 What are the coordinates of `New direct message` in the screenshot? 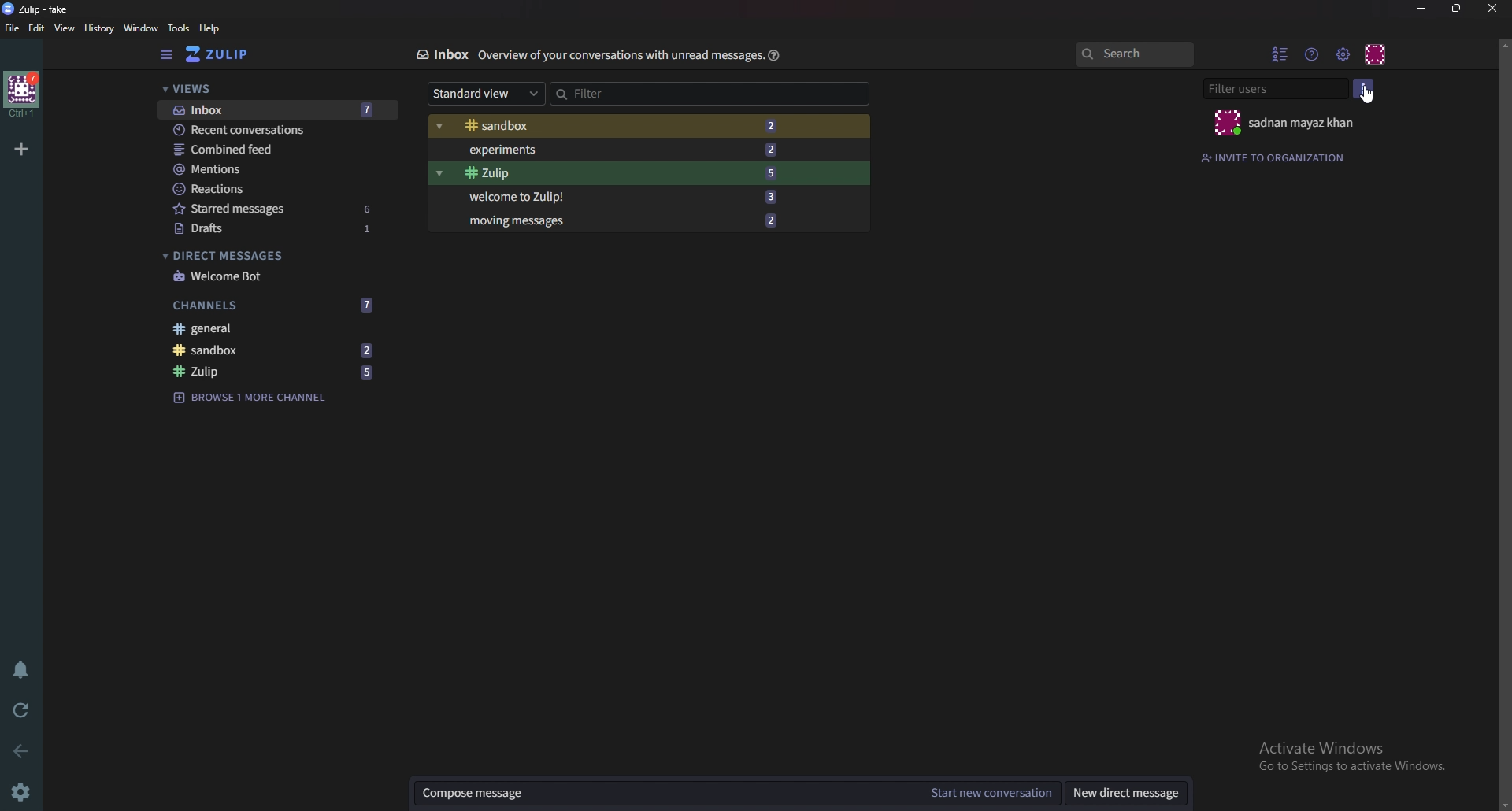 It's located at (1131, 793).